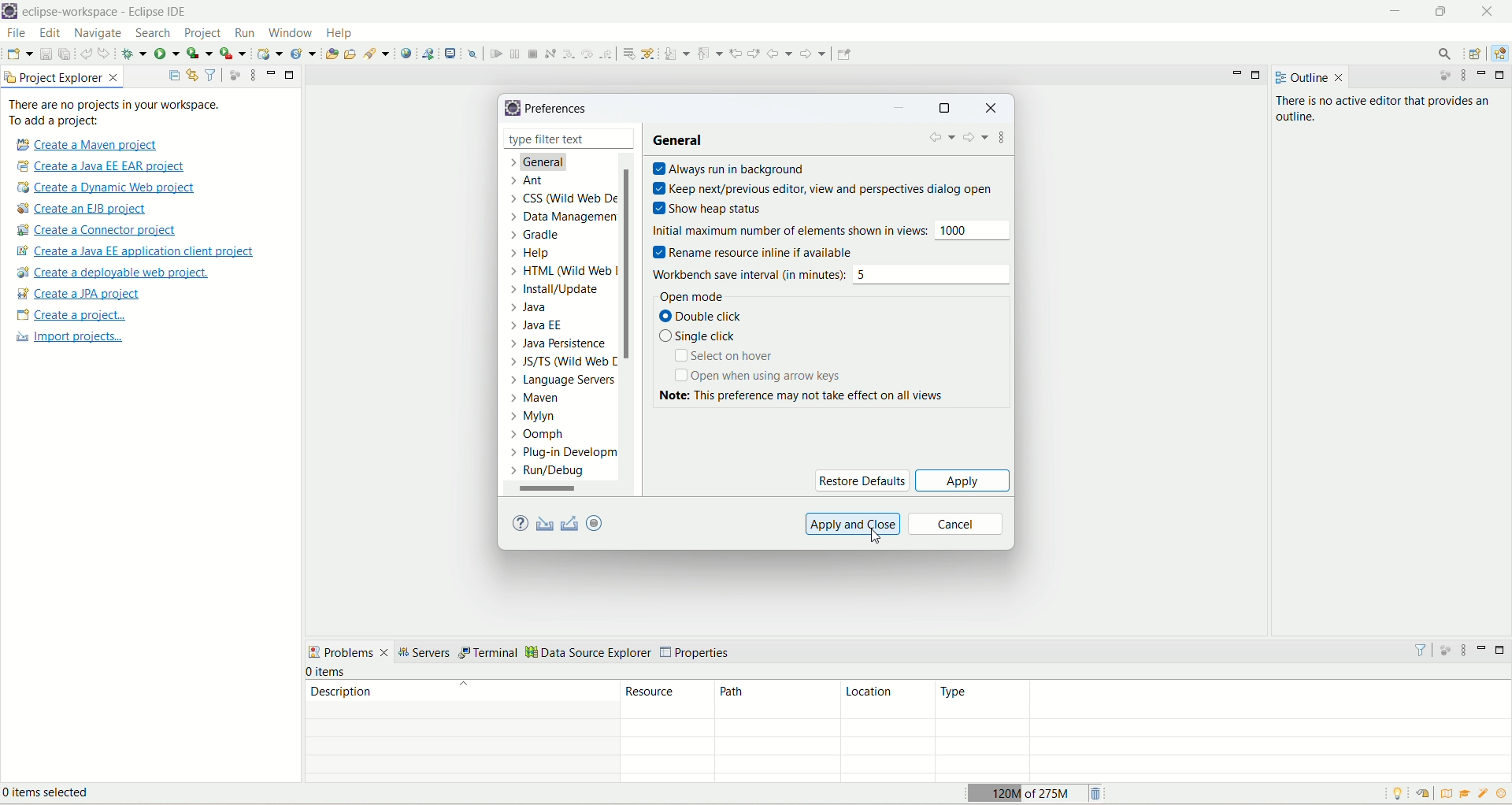  Describe the element at coordinates (291, 76) in the screenshot. I see `maximize` at that location.